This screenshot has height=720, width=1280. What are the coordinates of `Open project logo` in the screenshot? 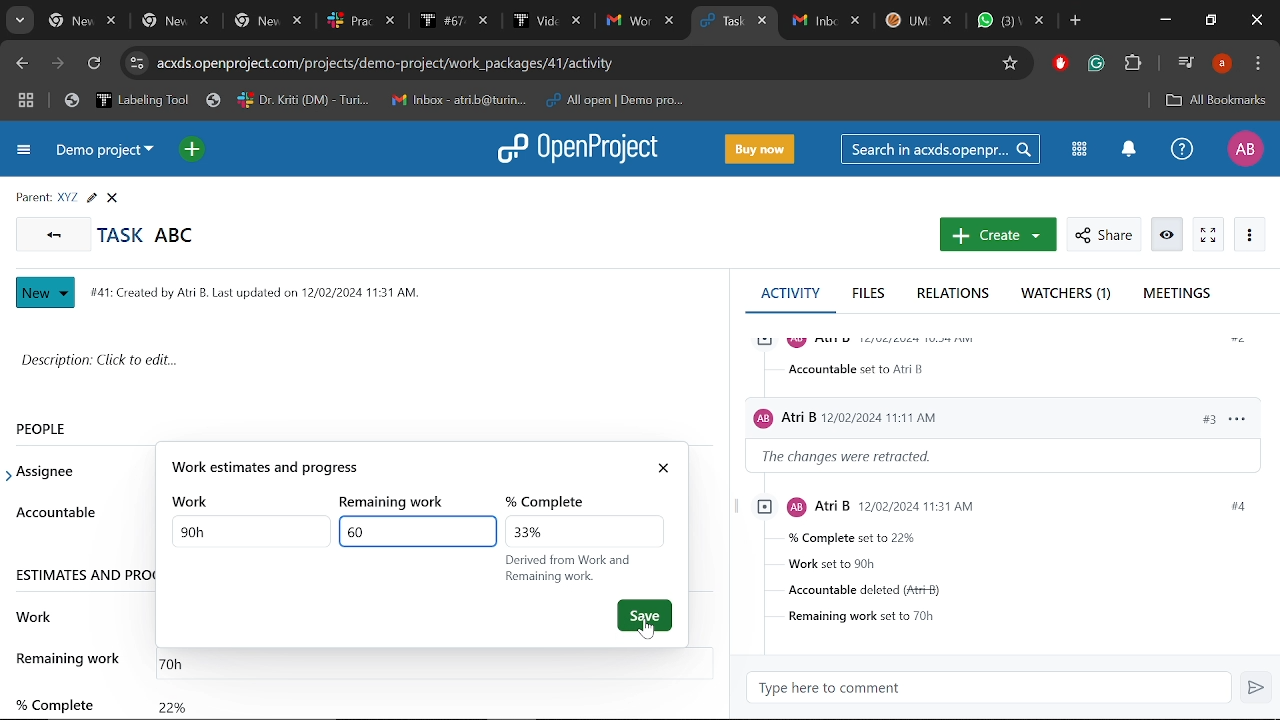 It's located at (584, 150).